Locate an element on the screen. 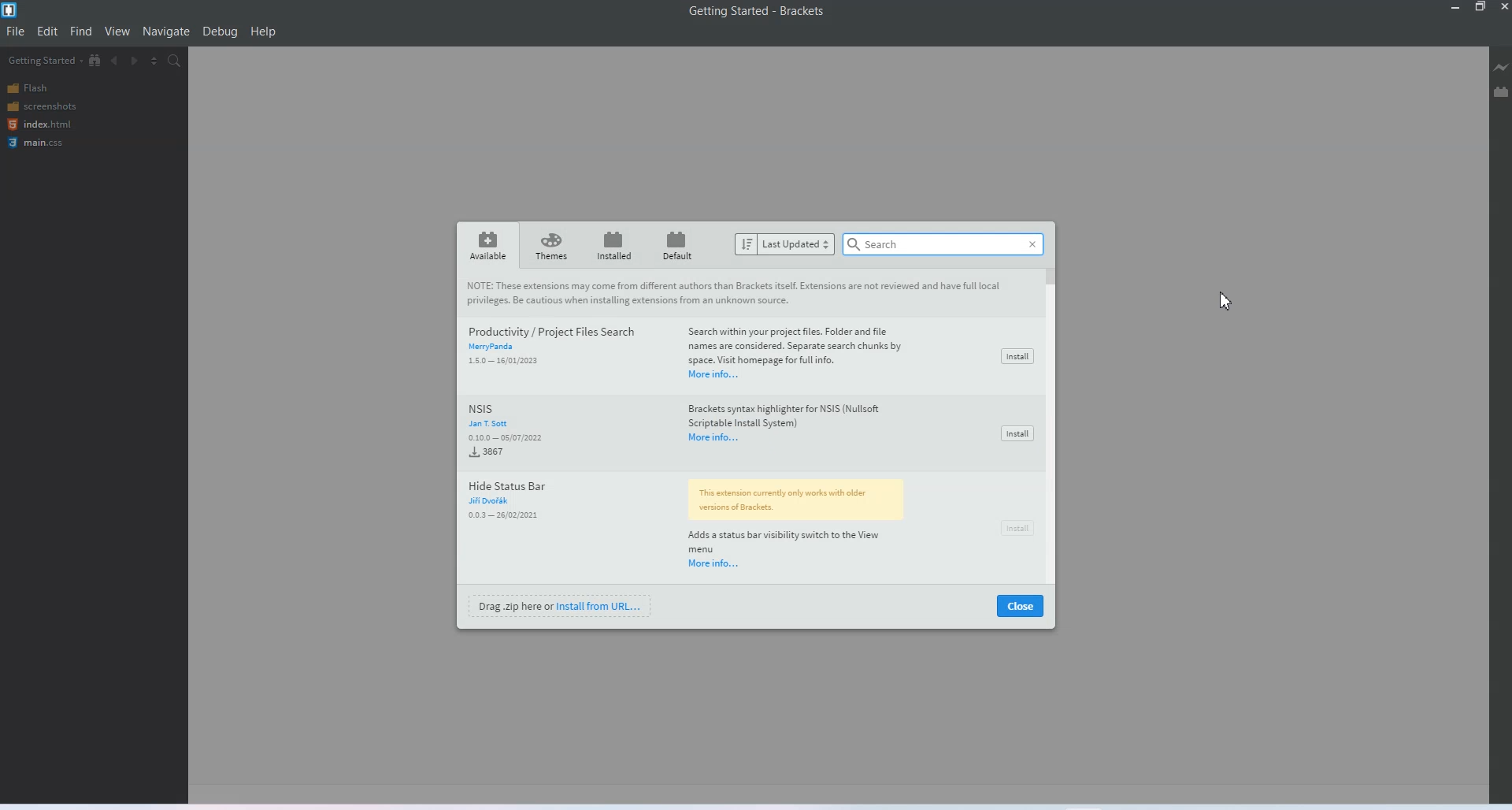 This screenshot has height=810, width=1512. Find is located at coordinates (81, 32).